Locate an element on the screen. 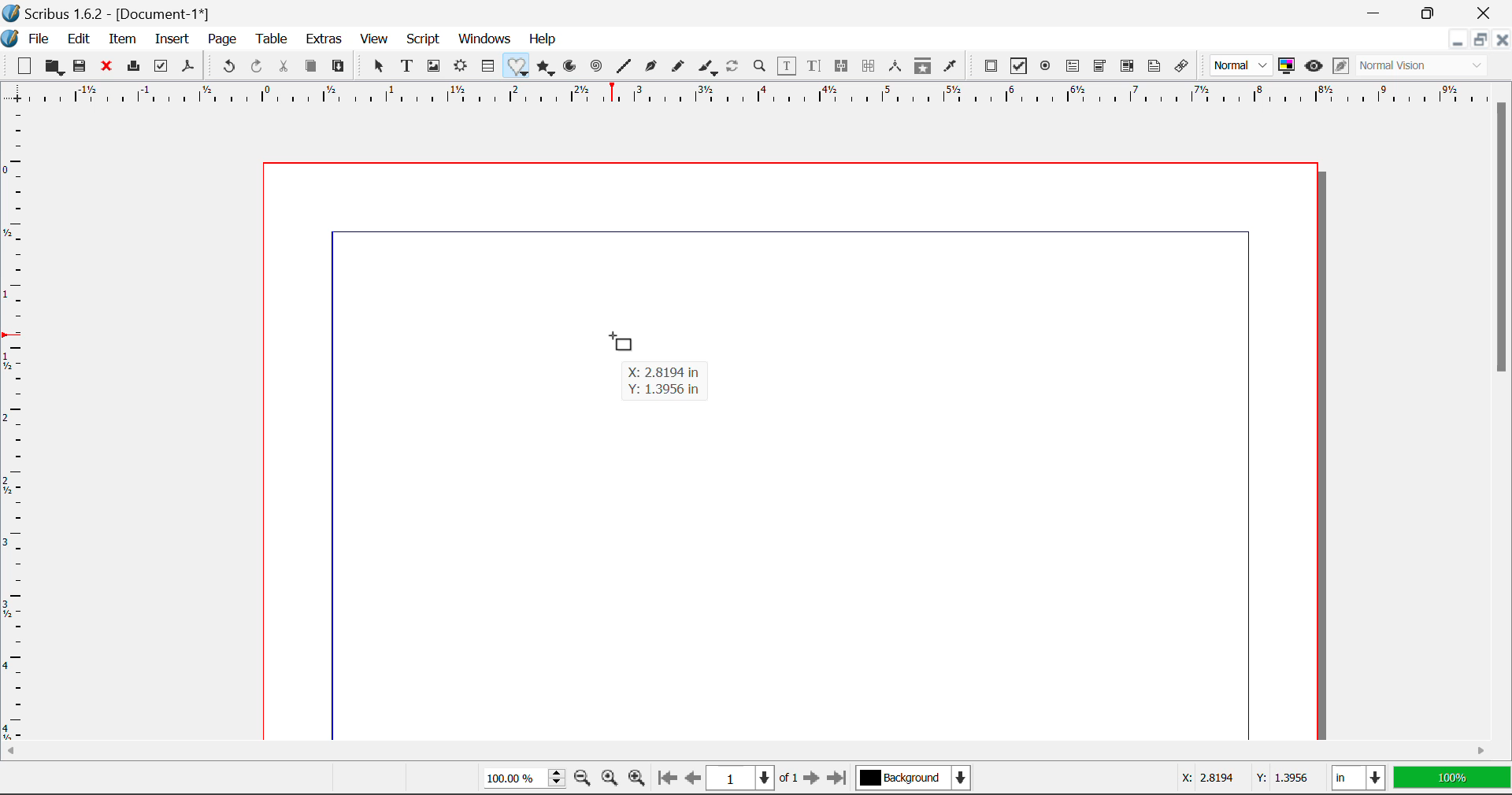 Image resolution: width=1512 pixels, height=795 pixels. View is located at coordinates (375, 41).